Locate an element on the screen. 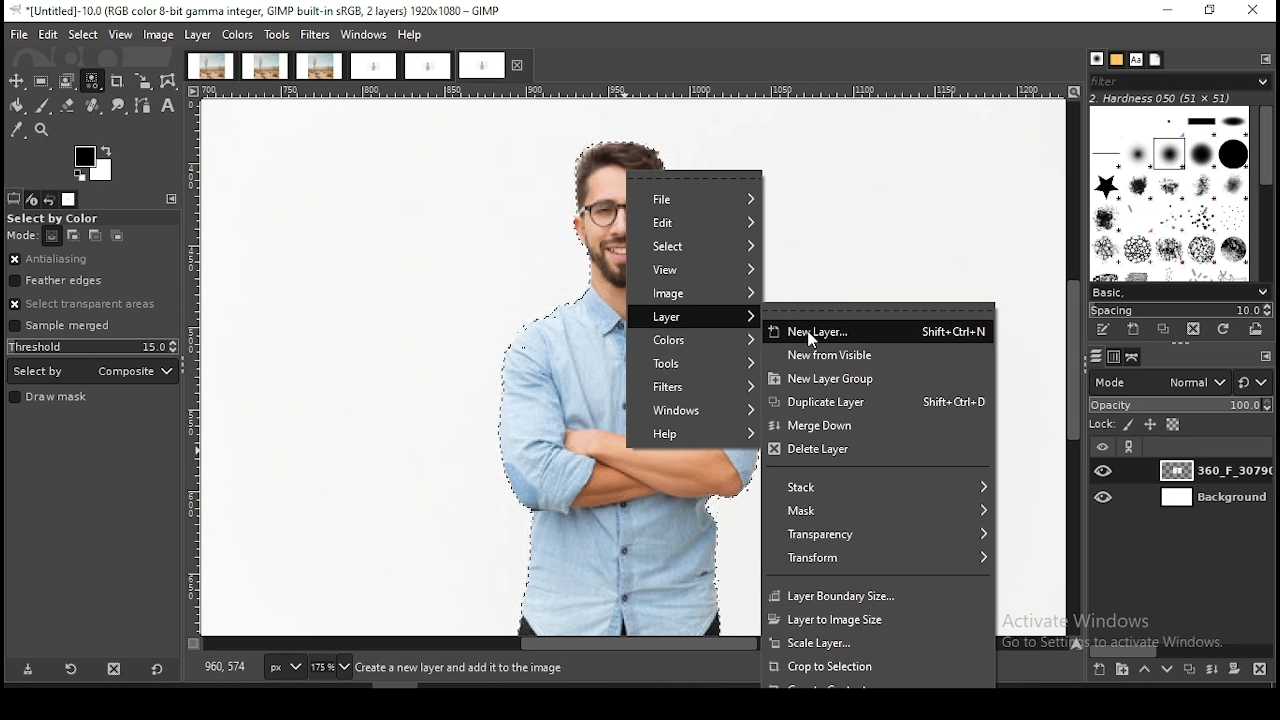 This screenshot has height=720, width=1280. zoom status is located at coordinates (332, 668).